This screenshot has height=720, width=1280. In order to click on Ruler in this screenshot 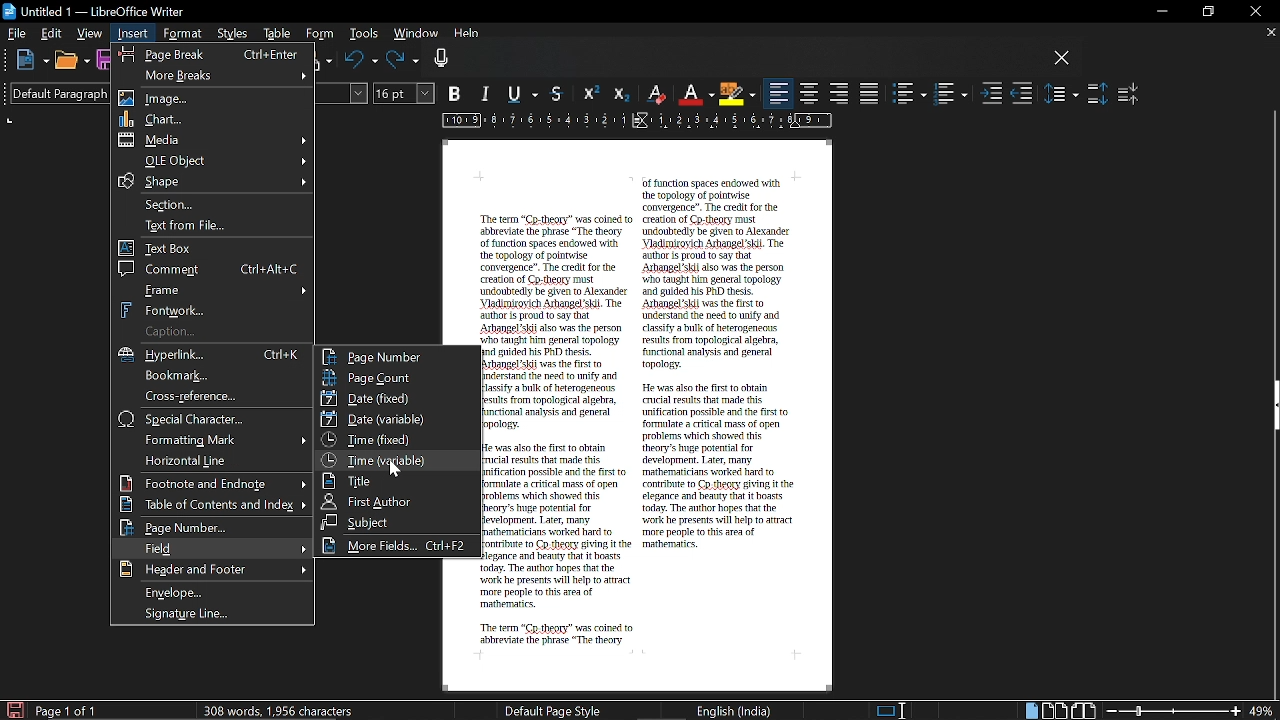, I will do `click(633, 122)`.